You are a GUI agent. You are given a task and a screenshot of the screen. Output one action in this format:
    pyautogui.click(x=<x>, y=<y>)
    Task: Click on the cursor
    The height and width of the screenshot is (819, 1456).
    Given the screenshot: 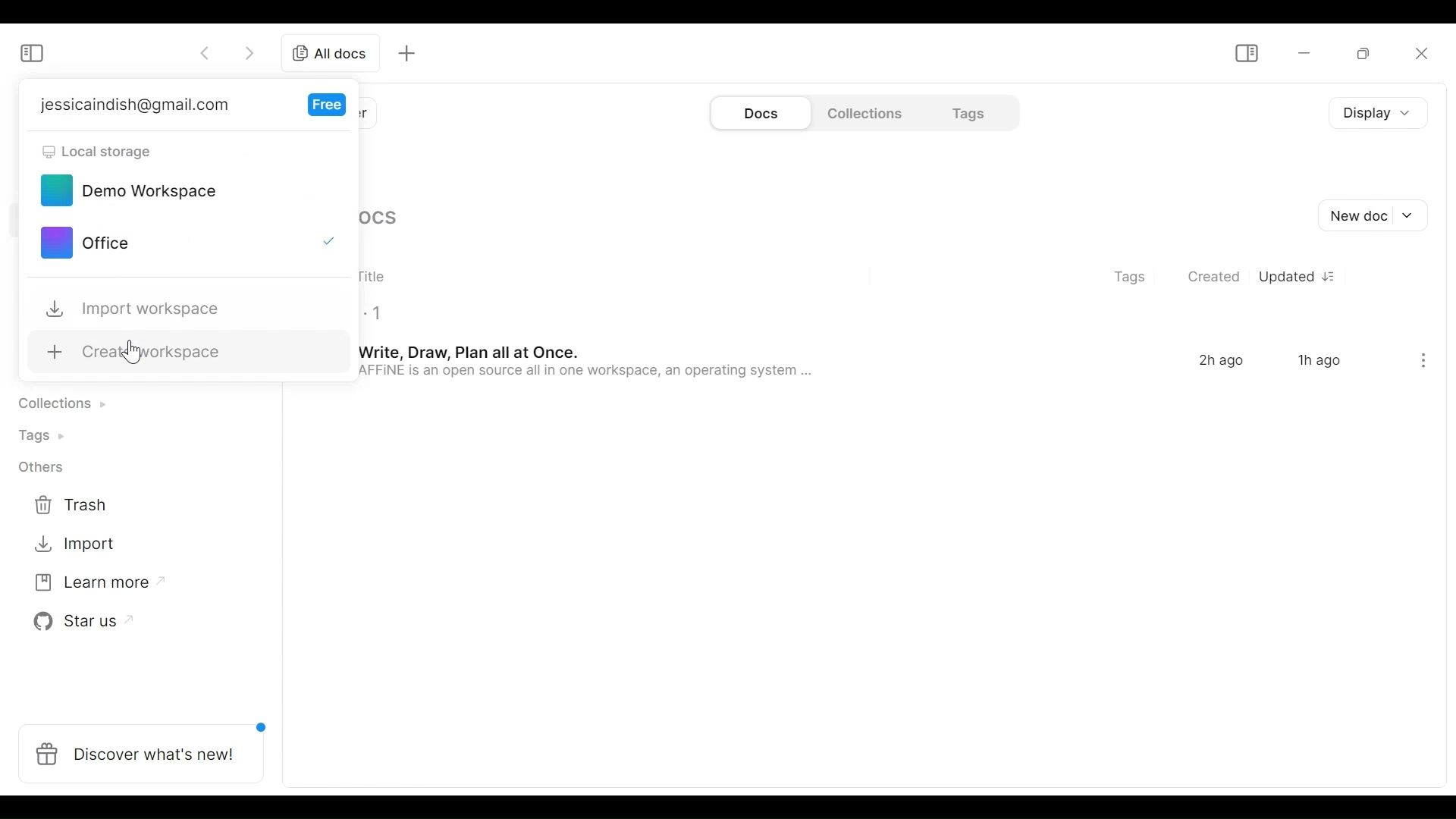 What is the action you would take?
    pyautogui.click(x=130, y=354)
    